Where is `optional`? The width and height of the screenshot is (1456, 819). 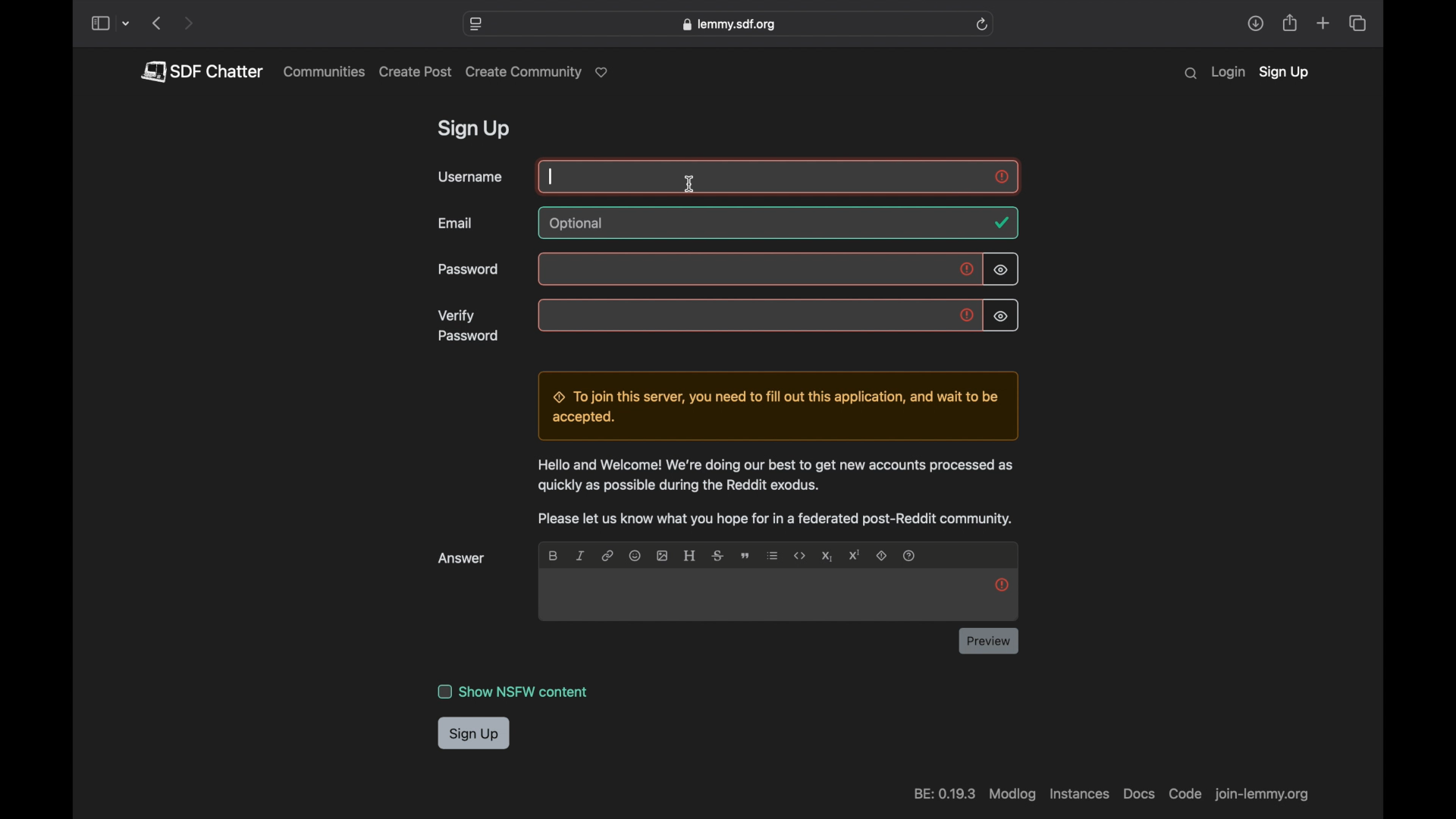 optional is located at coordinates (579, 224).